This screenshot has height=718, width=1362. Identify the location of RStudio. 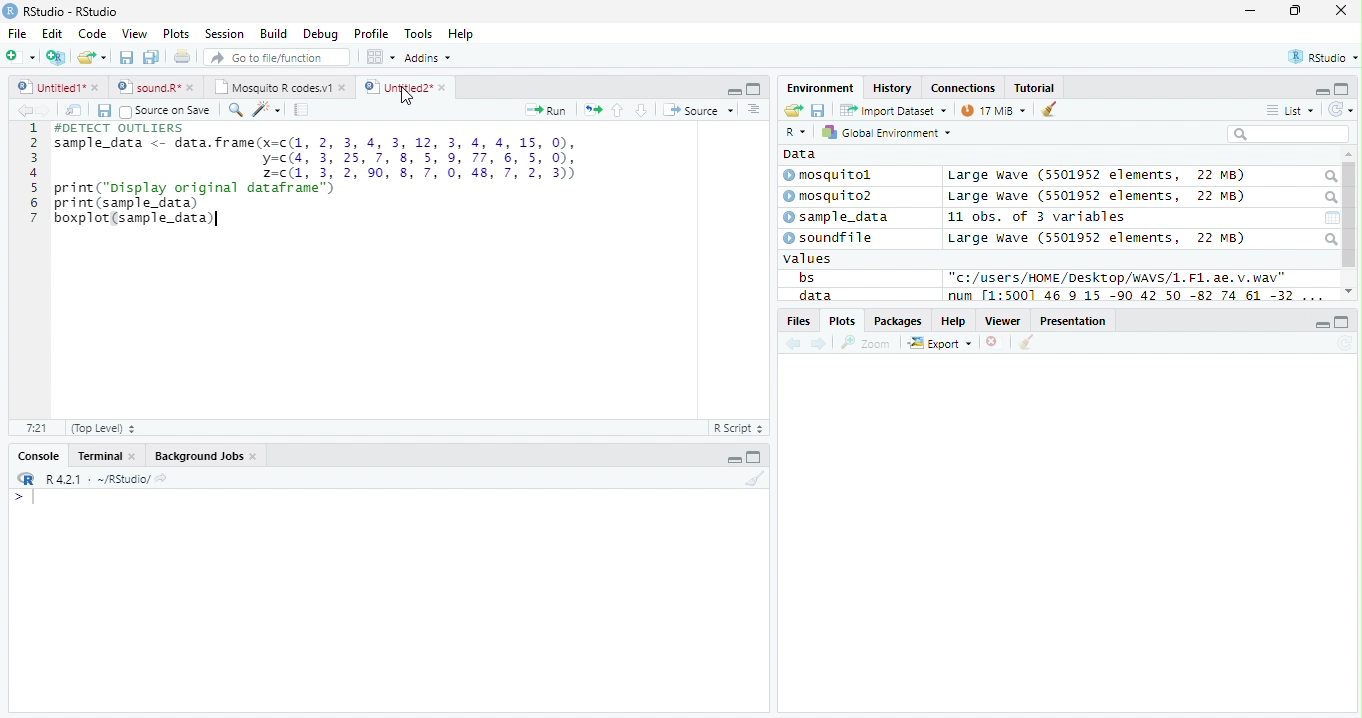
(1321, 56).